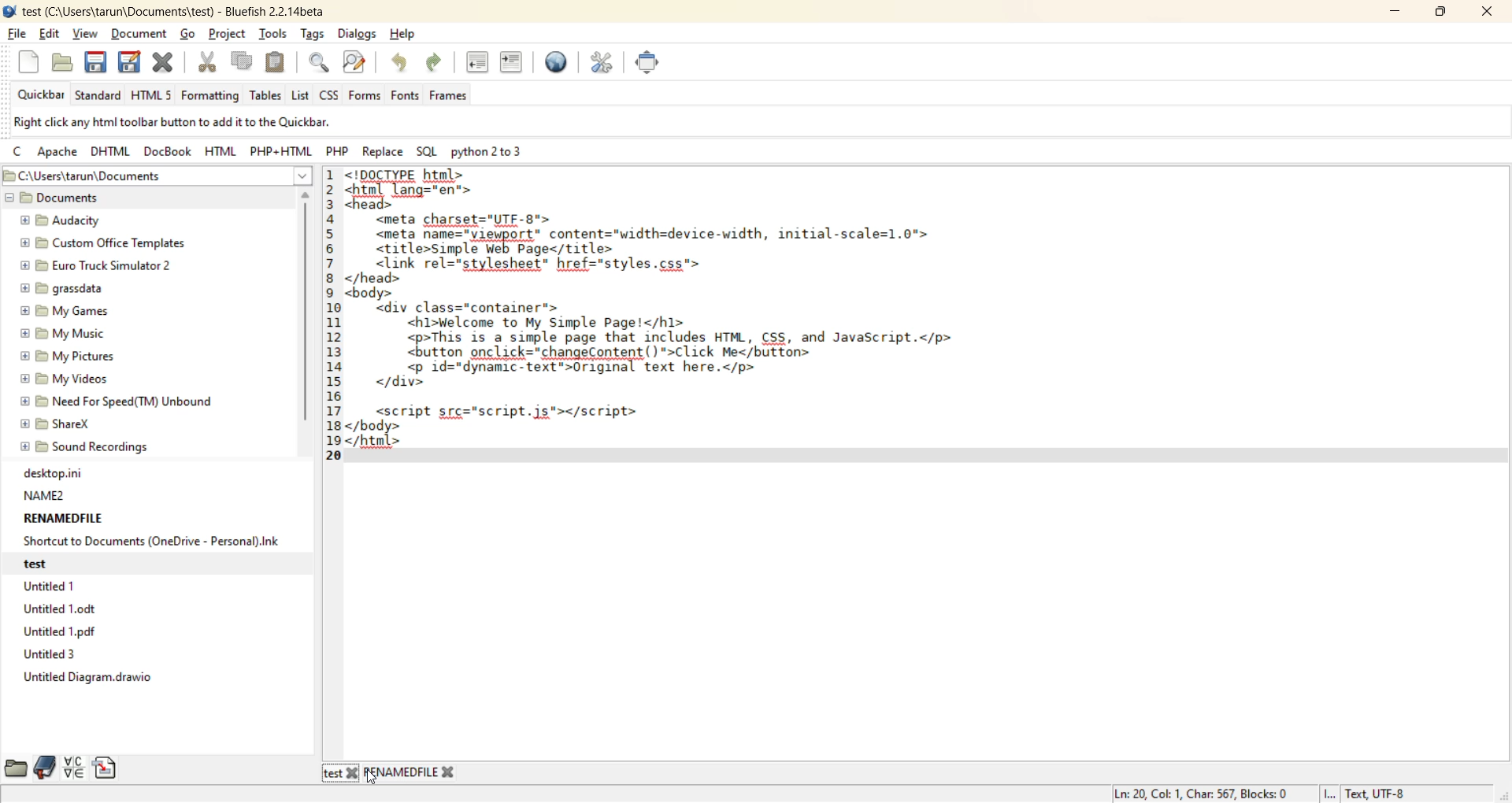 This screenshot has height=803, width=1512. Describe the element at coordinates (451, 96) in the screenshot. I see `frames` at that location.